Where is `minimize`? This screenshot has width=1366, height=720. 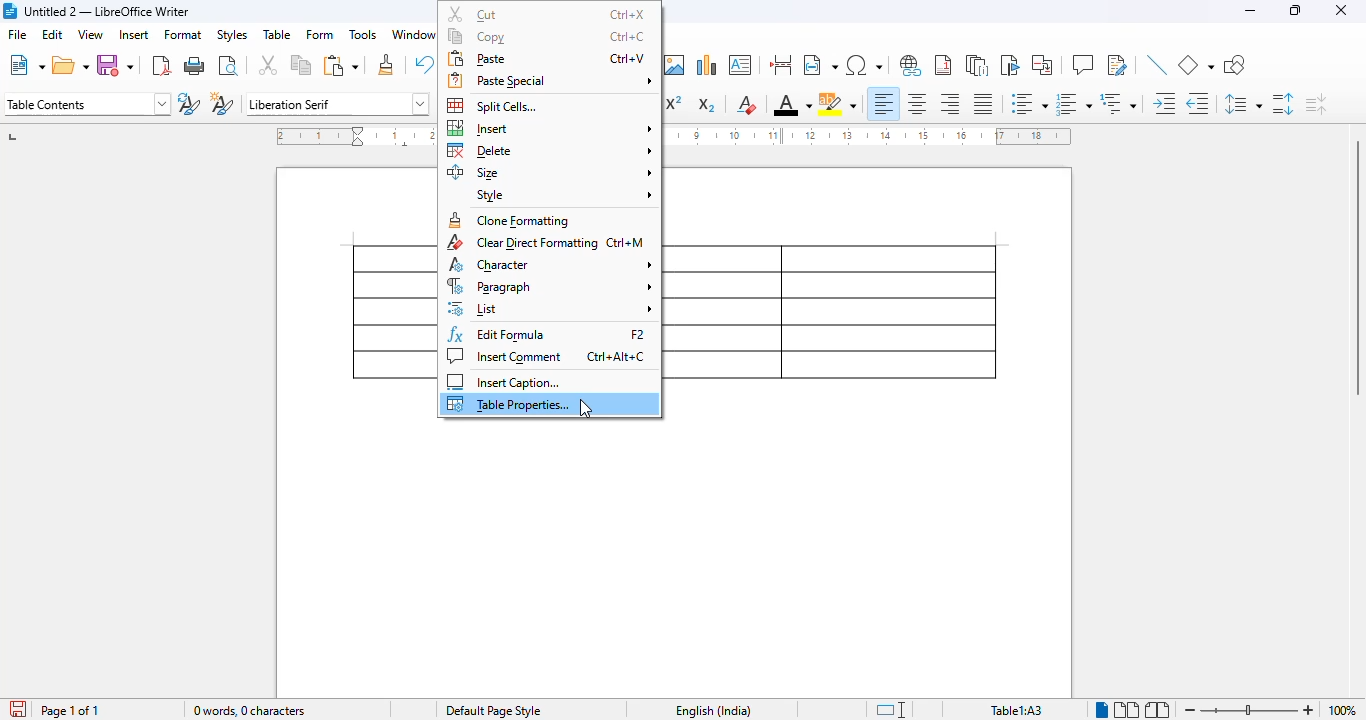 minimize is located at coordinates (1250, 10).